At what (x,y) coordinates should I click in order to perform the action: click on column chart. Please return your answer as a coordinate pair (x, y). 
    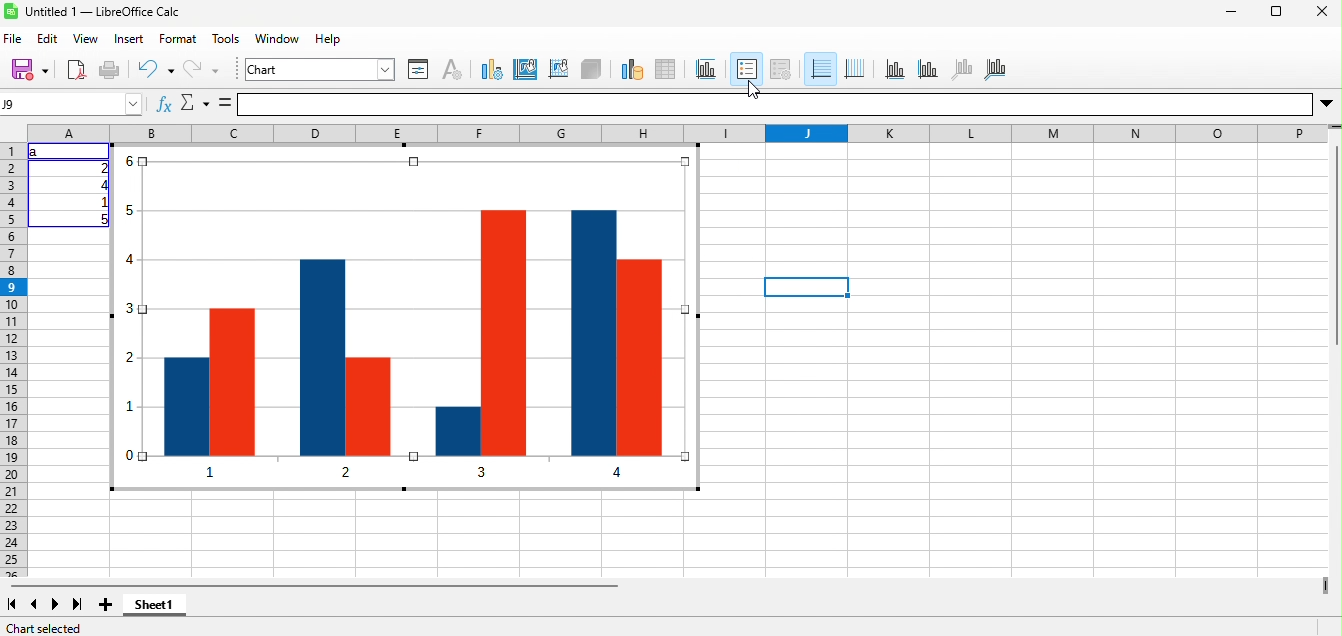
    Looking at the image, I should click on (406, 317).